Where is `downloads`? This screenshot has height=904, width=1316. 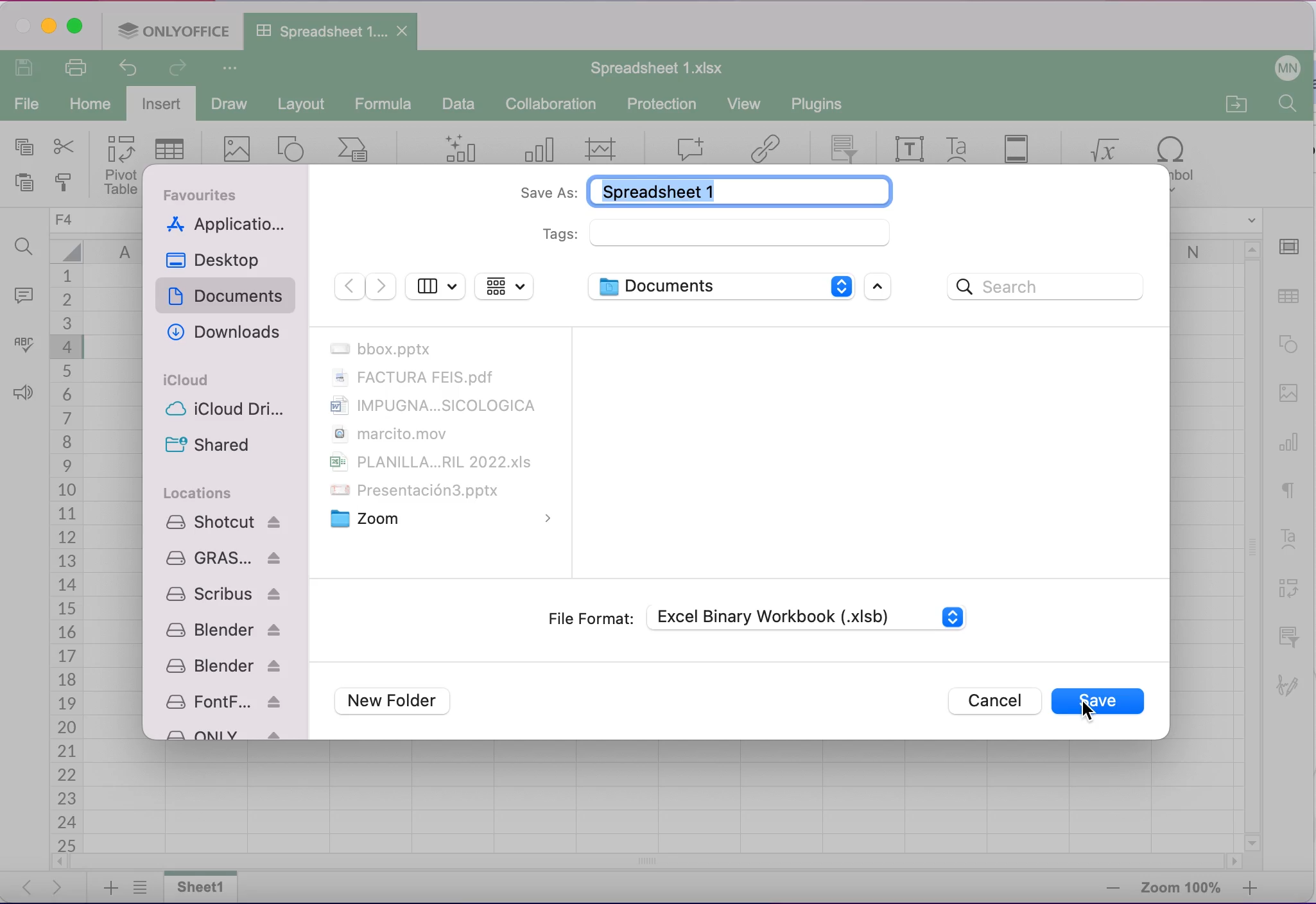 downloads is located at coordinates (221, 334).